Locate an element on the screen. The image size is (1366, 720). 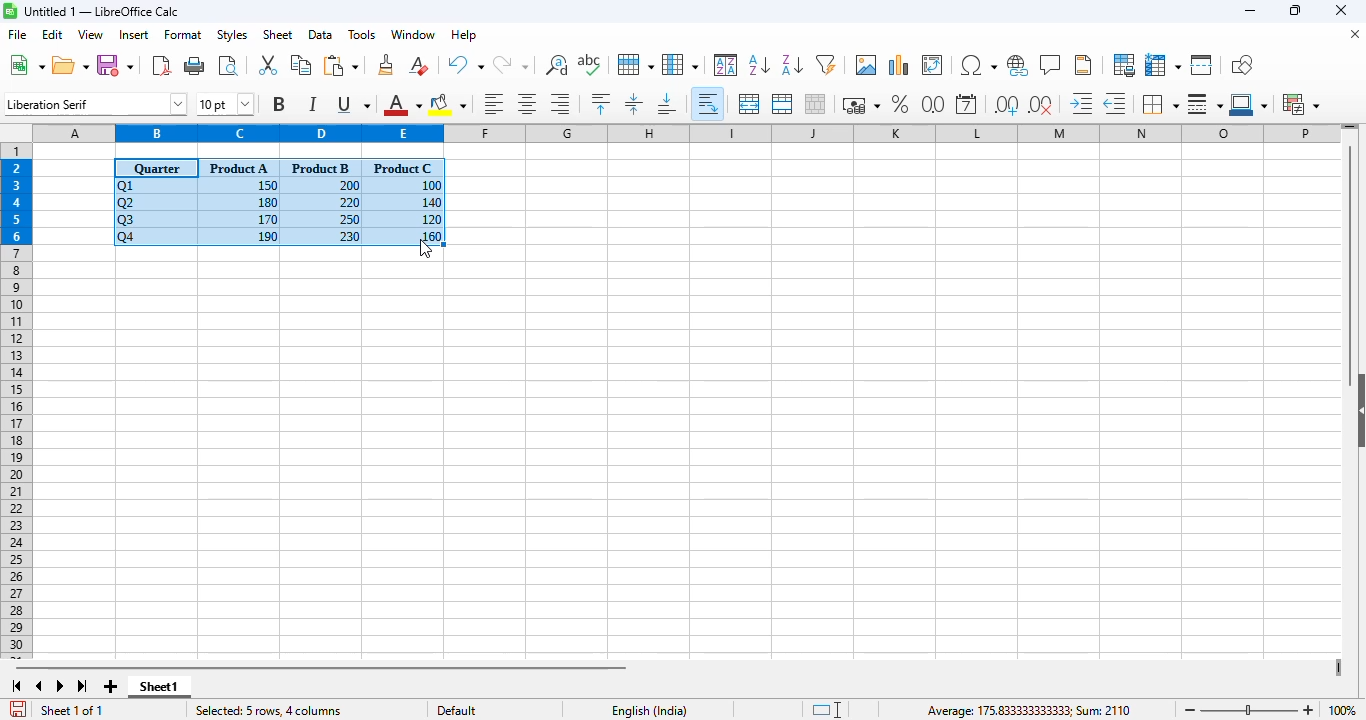
cut is located at coordinates (267, 64).